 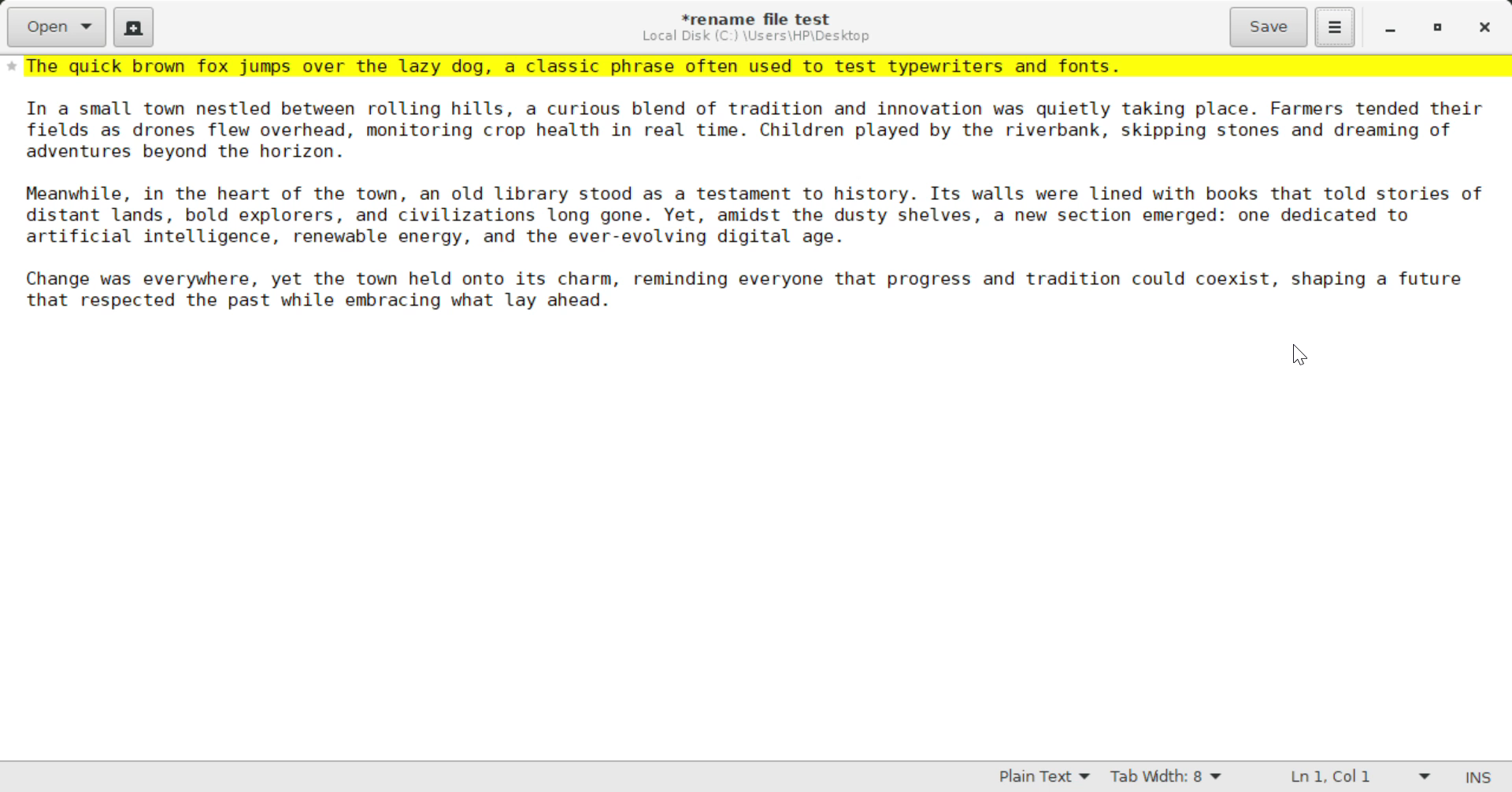 I want to click on Create New Document, so click(x=134, y=29).